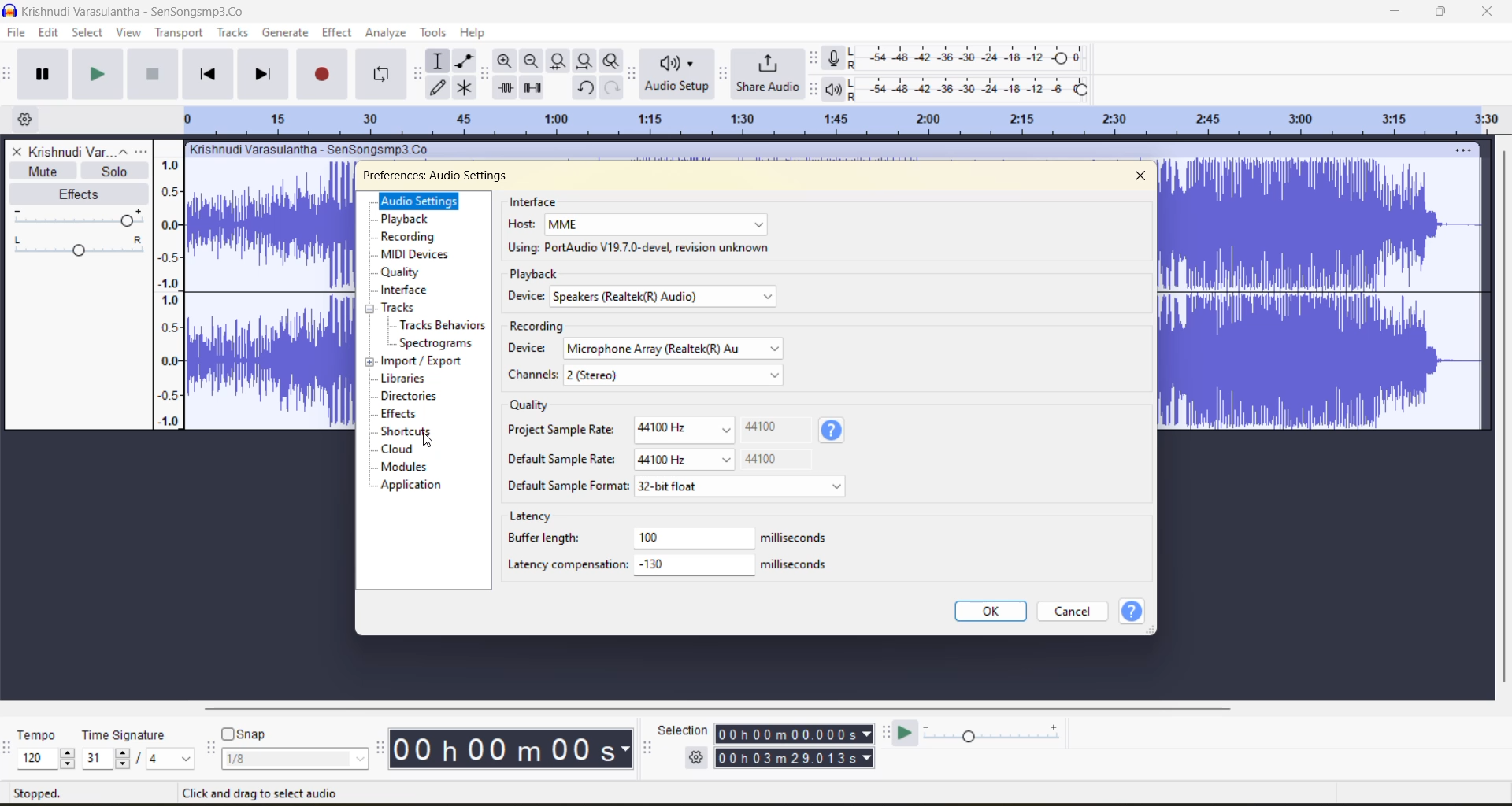 This screenshot has height=806, width=1512. I want to click on fit selection to width, so click(557, 61).